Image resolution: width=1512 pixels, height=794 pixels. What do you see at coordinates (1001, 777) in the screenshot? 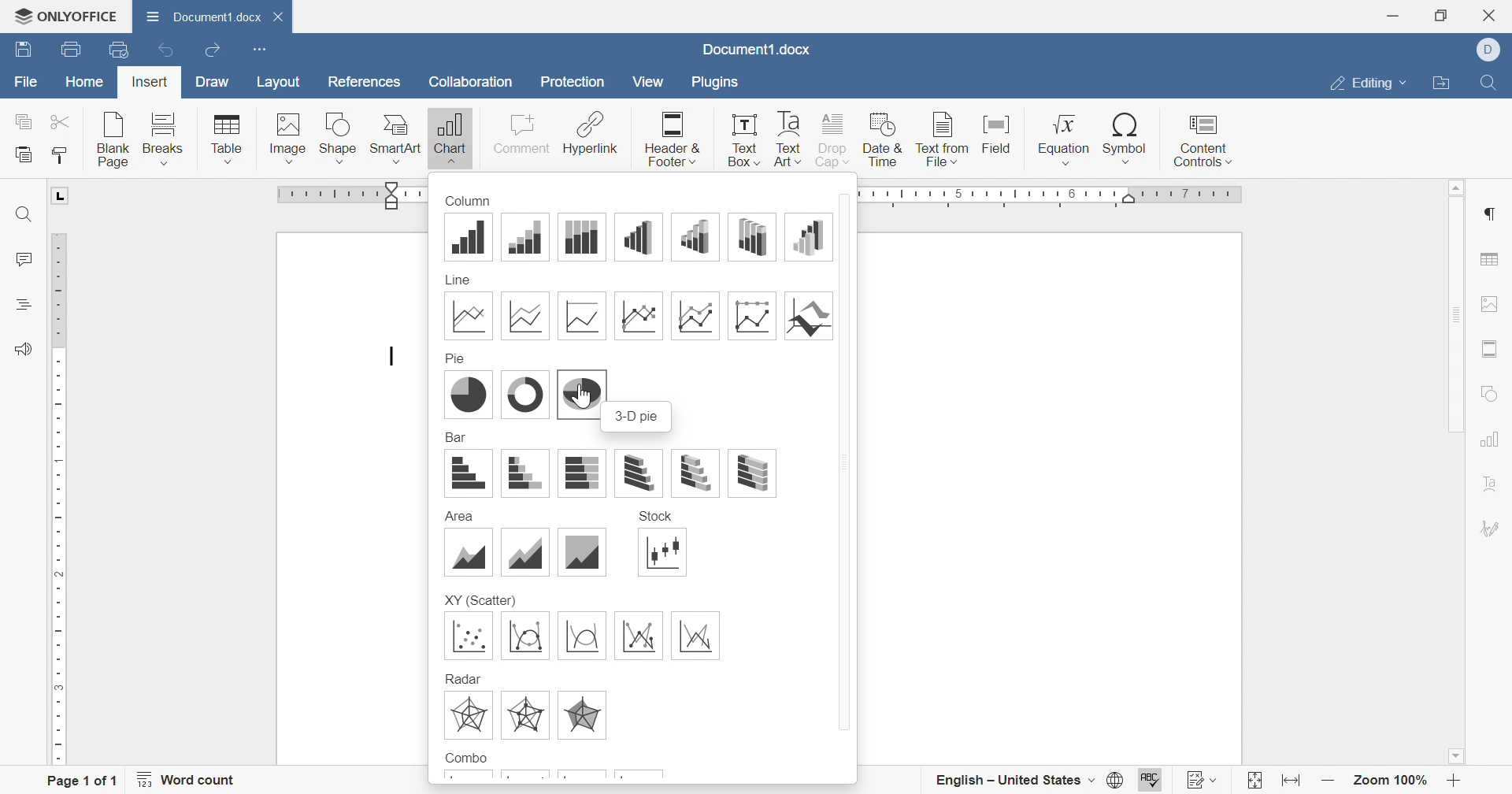
I see `English - United States` at bounding box center [1001, 777].